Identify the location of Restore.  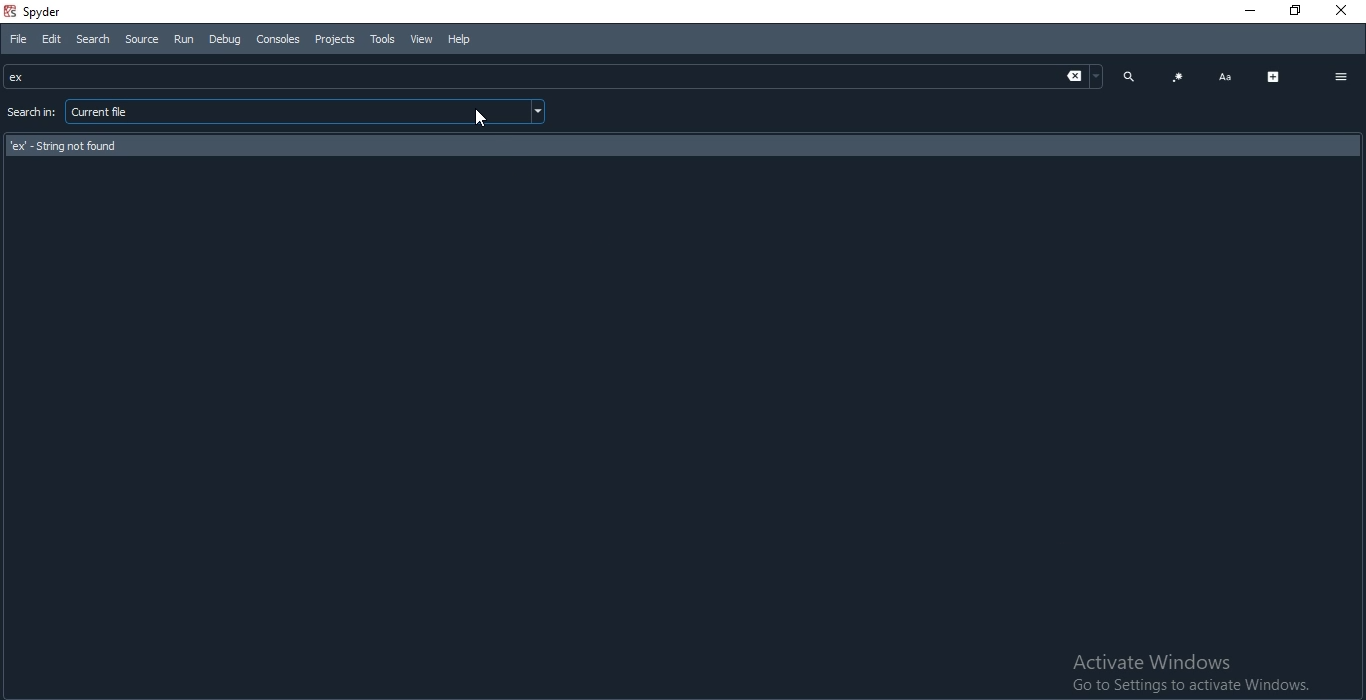
(1297, 11).